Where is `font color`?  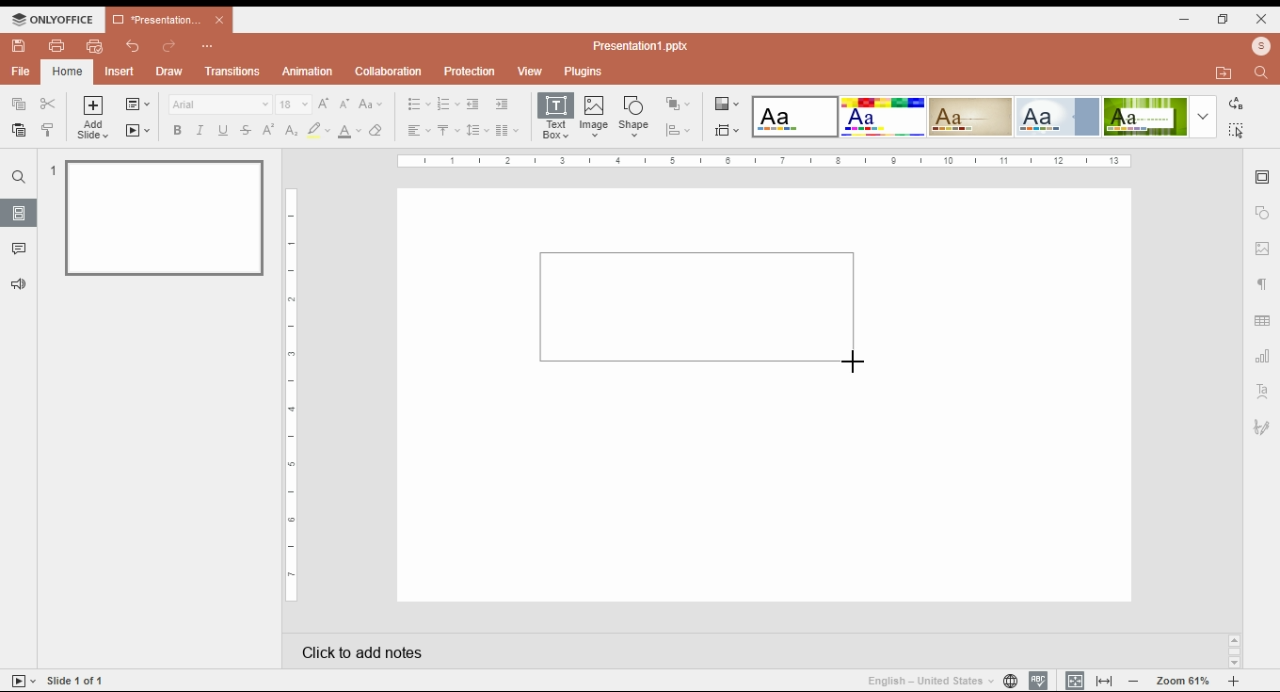
font color is located at coordinates (350, 131).